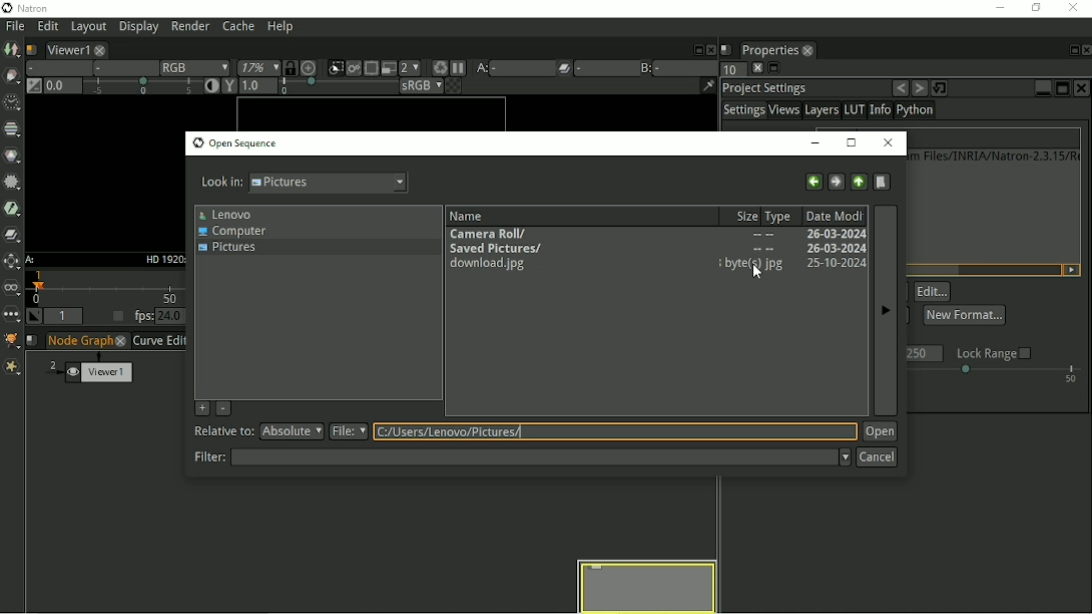 This screenshot has width=1092, height=614. What do you see at coordinates (409, 86) in the screenshot?
I see `sRGB` at bounding box center [409, 86].